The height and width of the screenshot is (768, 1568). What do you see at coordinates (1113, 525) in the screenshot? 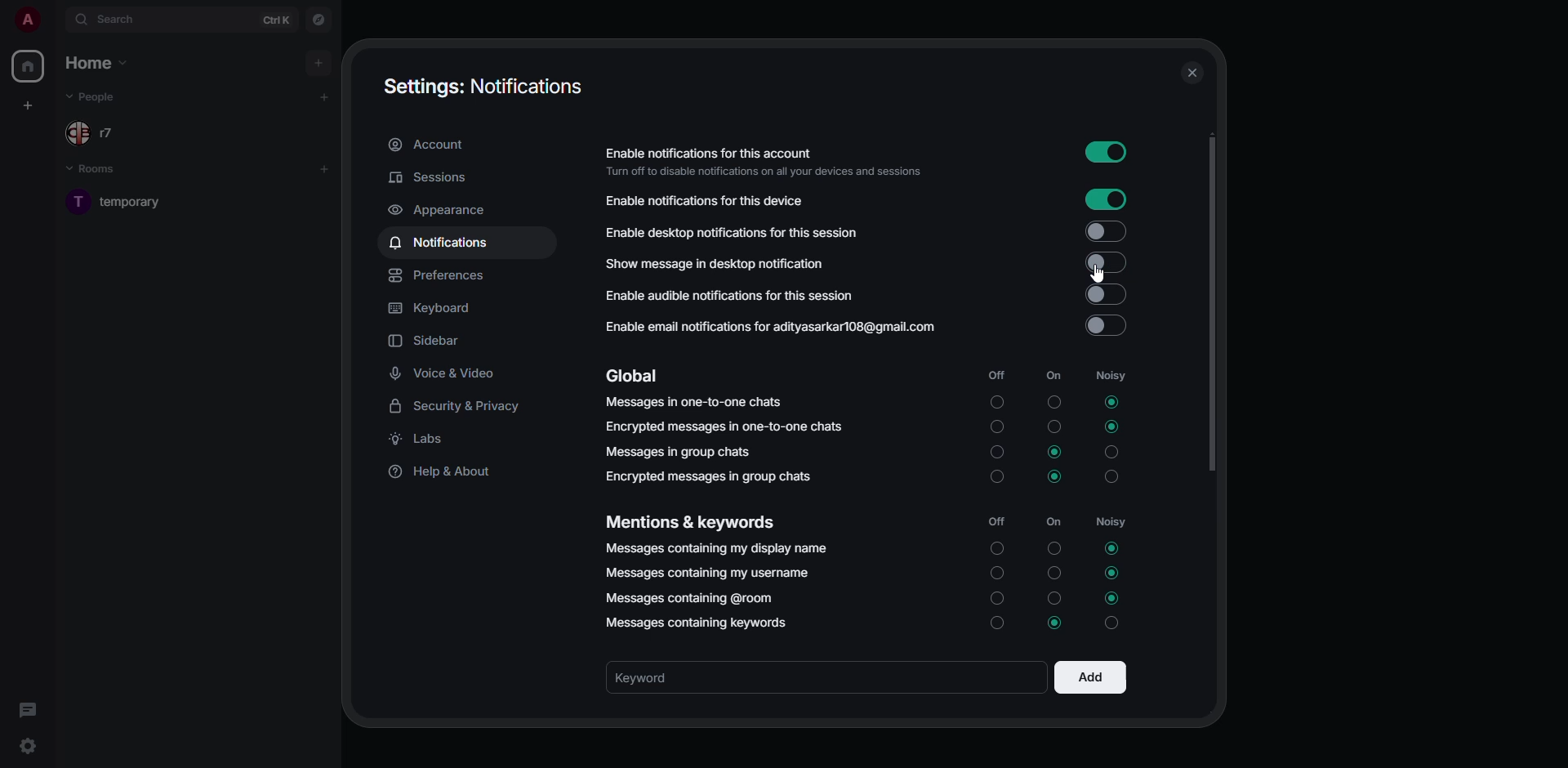
I see `noisy` at bounding box center [1113, 525].